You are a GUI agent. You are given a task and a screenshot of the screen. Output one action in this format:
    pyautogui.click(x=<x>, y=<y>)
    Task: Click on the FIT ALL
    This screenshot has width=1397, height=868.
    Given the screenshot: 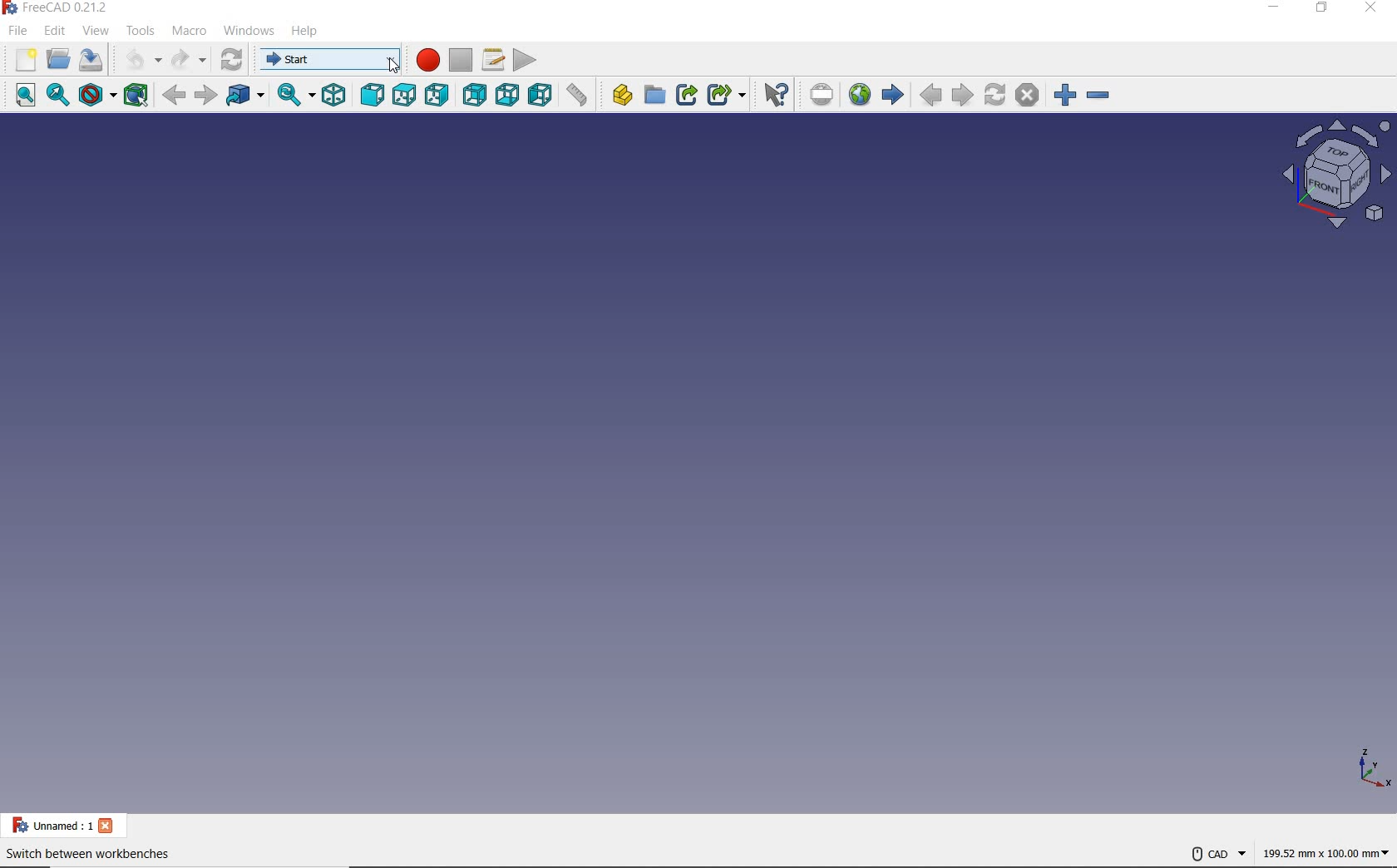 What is the action you would take?
    pyautogui.click(x=18, y=96)
    